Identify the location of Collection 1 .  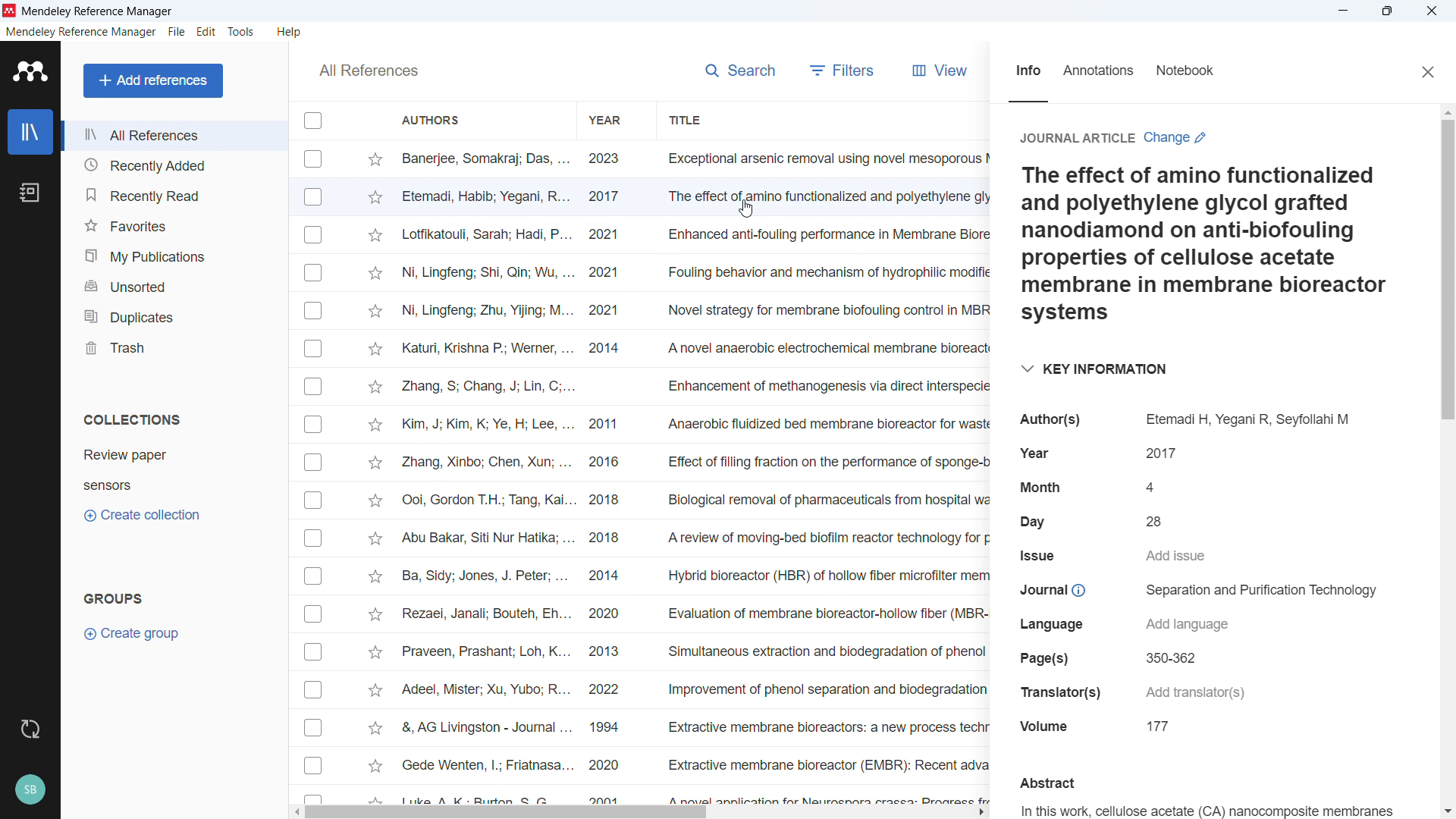
(127, 455).